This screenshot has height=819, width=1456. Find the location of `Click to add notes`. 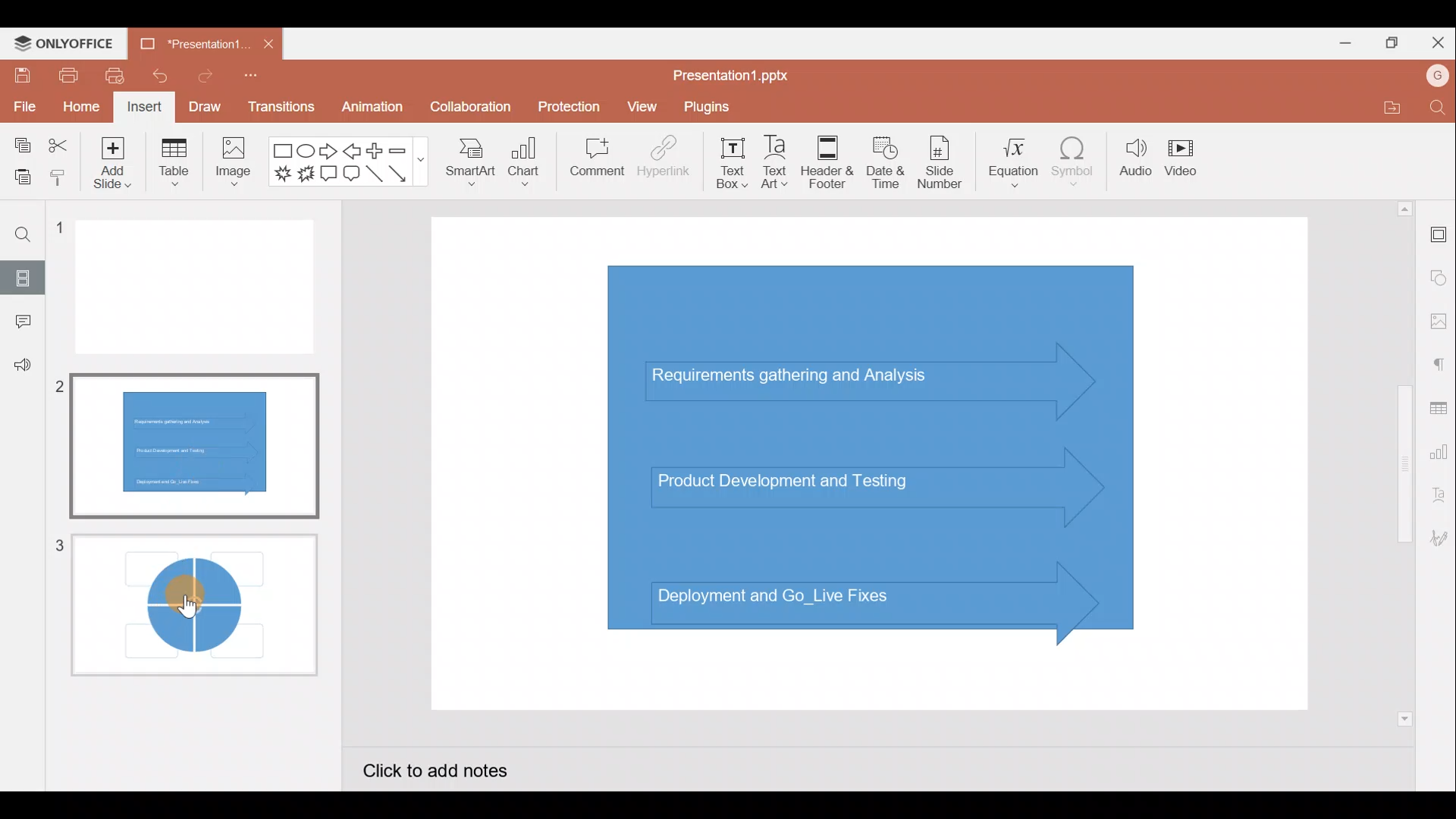

Click to add notes is located at coordinates (450, 767).